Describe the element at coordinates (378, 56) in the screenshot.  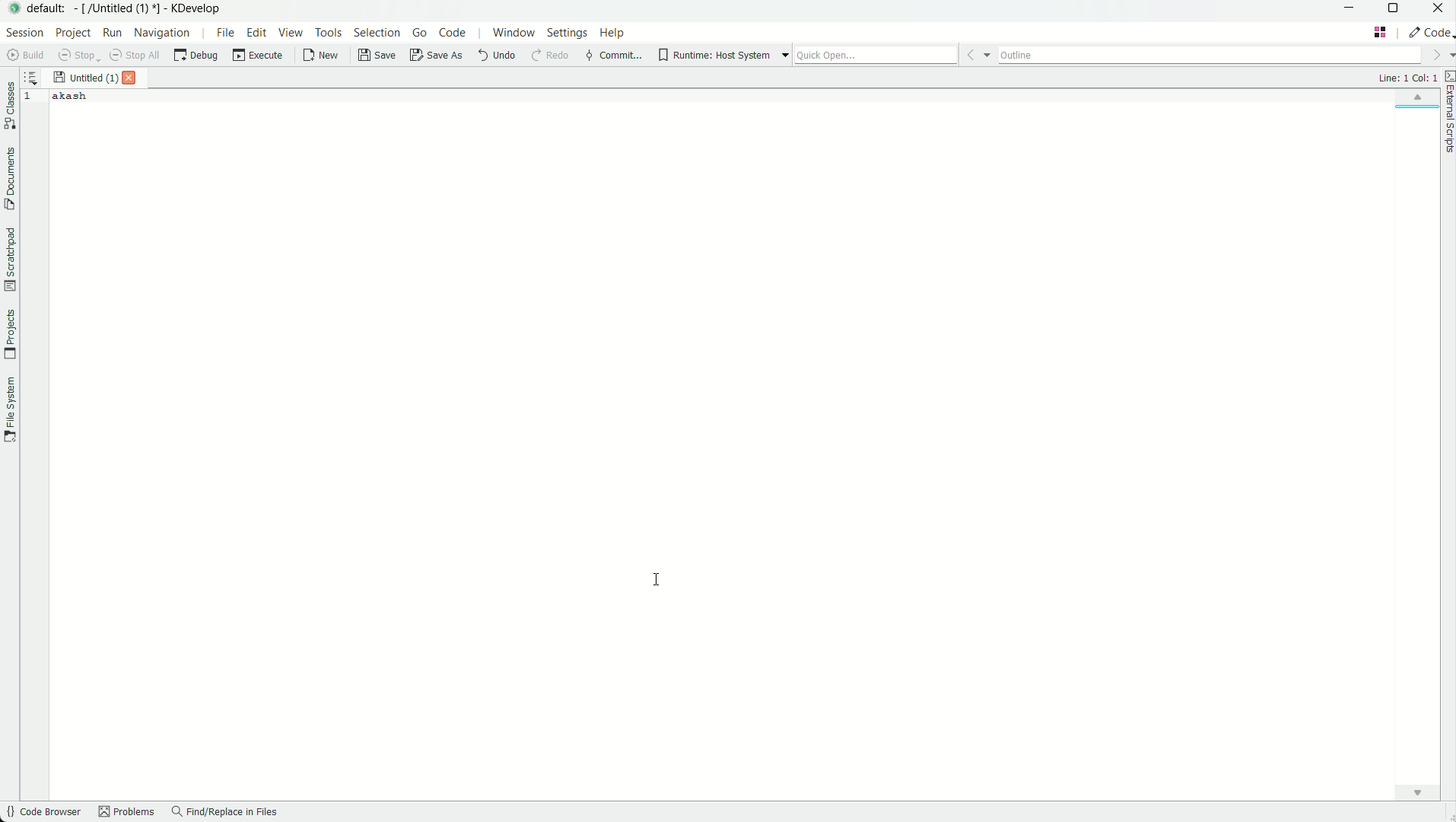
I see `save` at that location.